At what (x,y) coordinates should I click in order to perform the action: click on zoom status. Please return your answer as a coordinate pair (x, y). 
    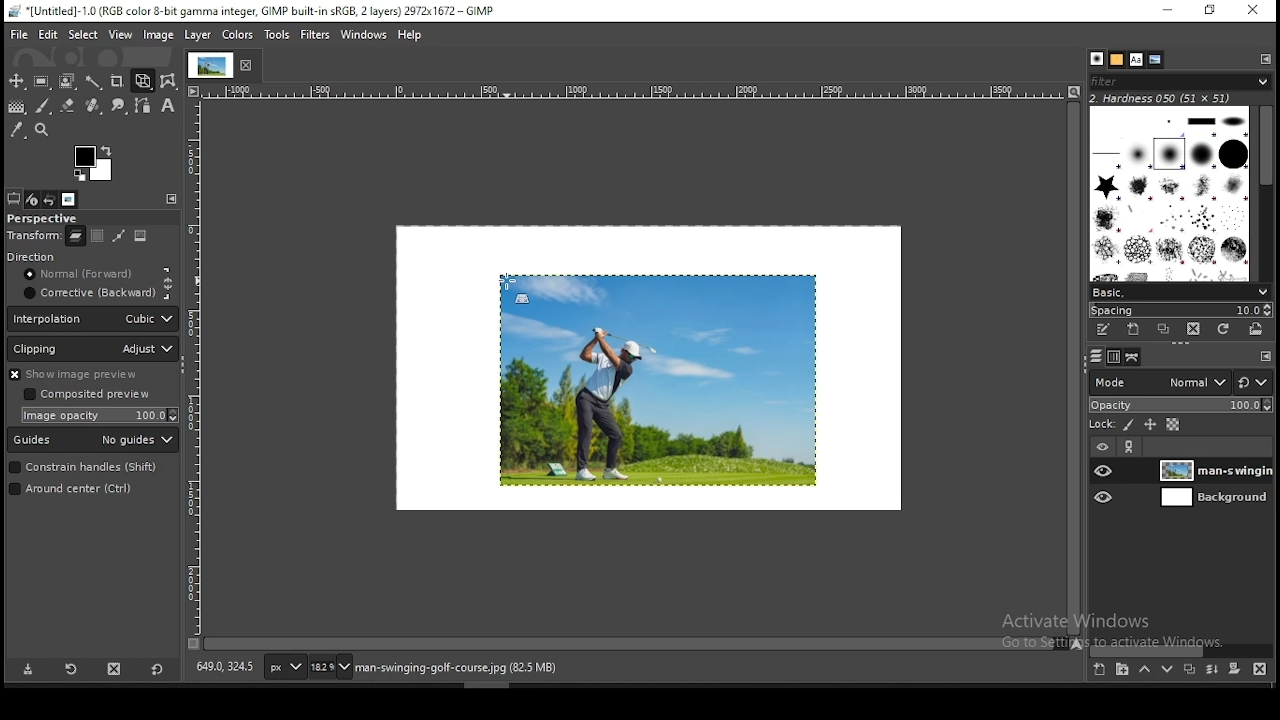
    Looking at the image, I should click on (332, 666).